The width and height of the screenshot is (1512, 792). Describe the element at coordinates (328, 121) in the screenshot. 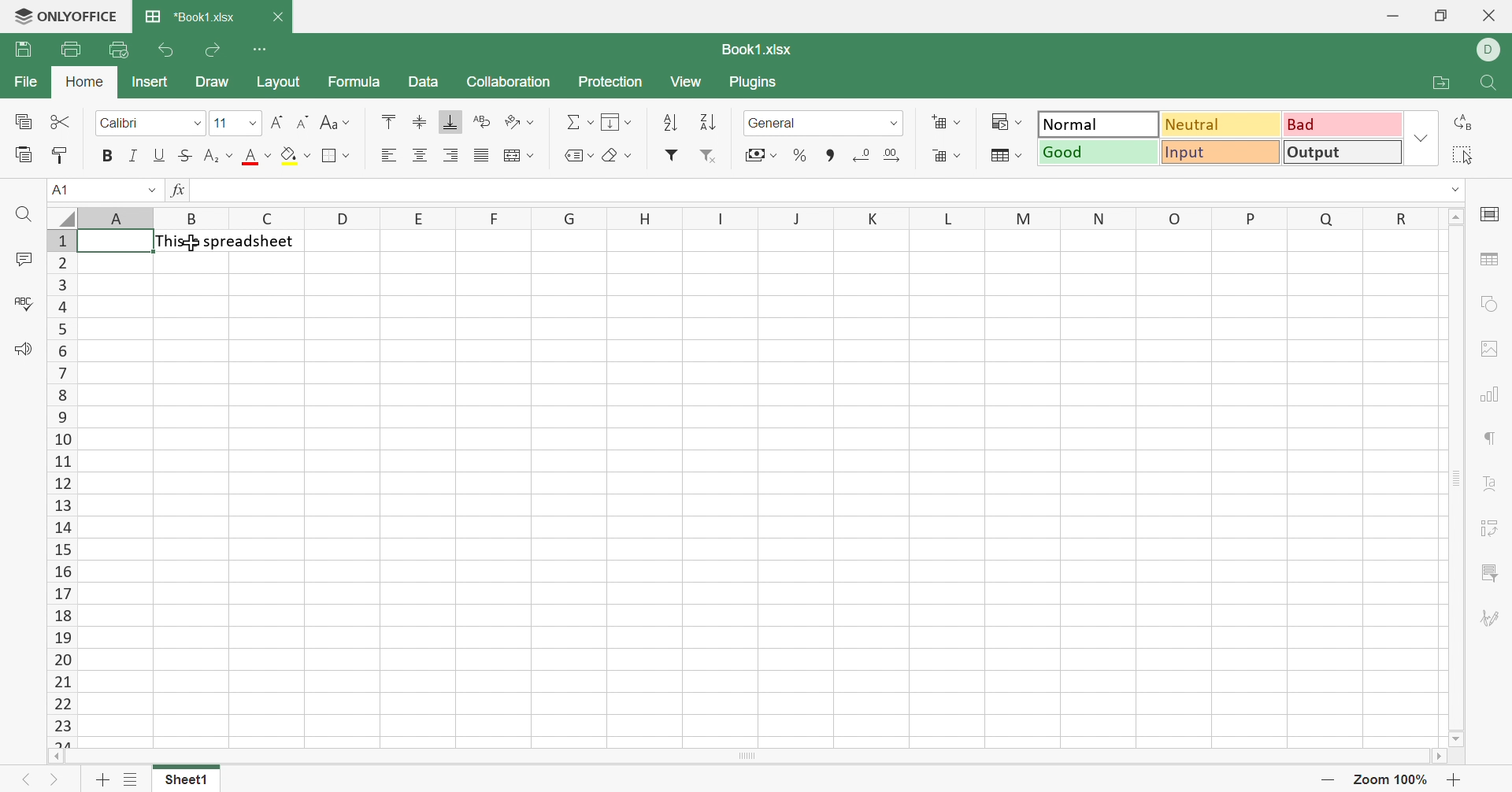

I see `Change case` at that location.